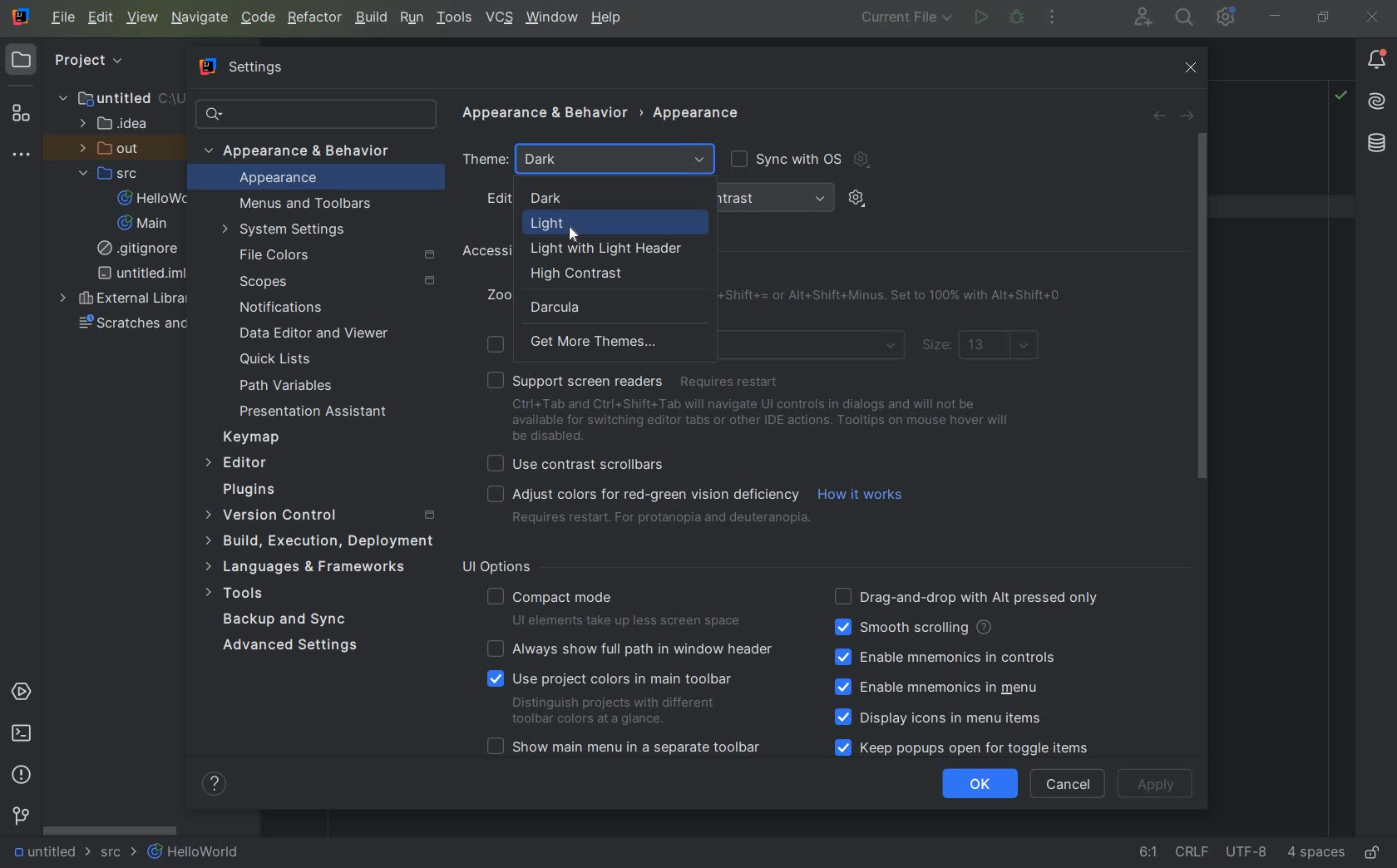 Image resolution: width=1397 pixels, height=868 pixels. Describe the element at coordinates (863, 496) in the screenshot. I see `how it works` at that location.